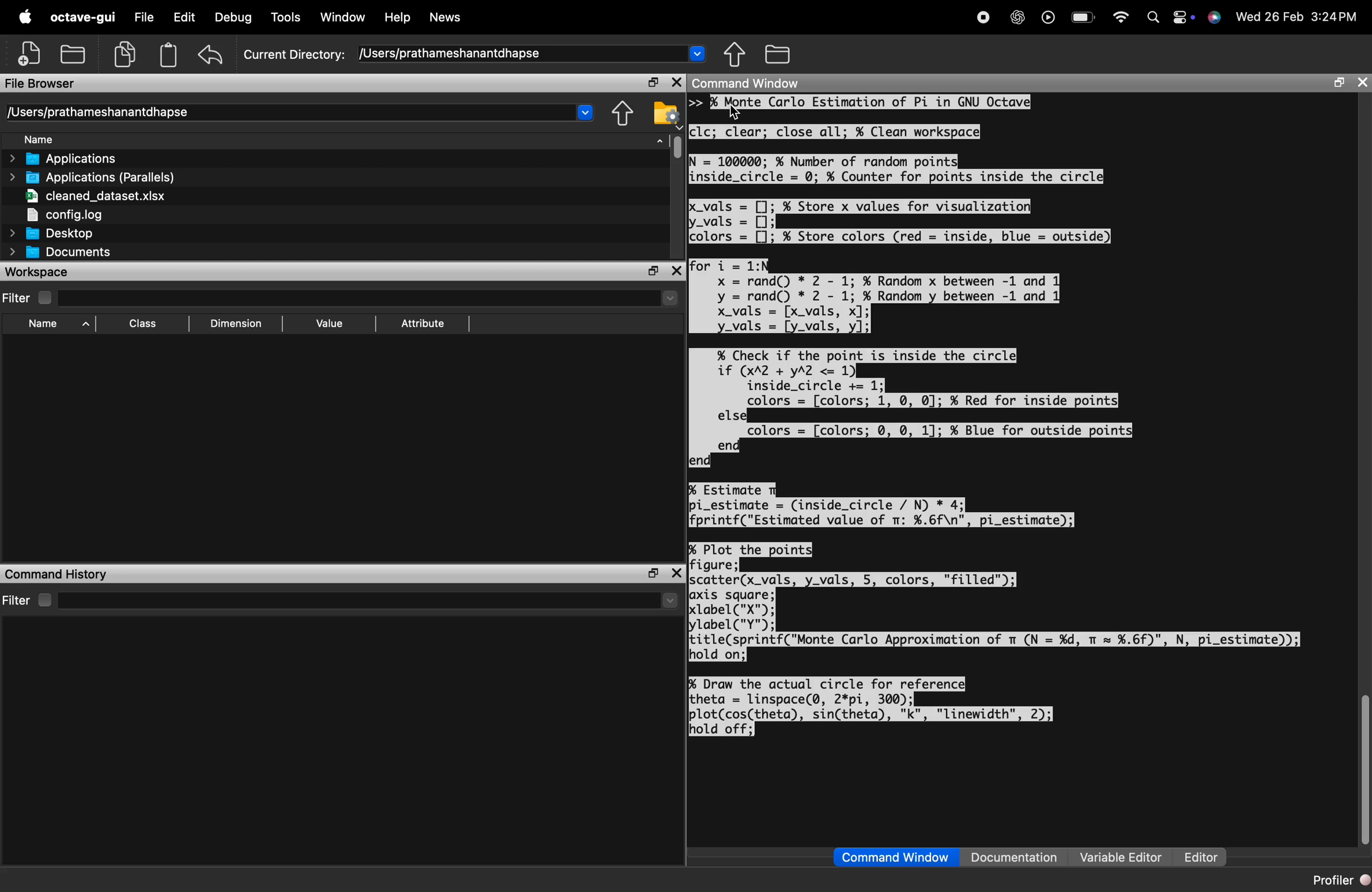 This screenshot has width=1372, height=892. Describe the element at coordinates (80, 17) in the screenshot. I see `octave-gui` at that location.